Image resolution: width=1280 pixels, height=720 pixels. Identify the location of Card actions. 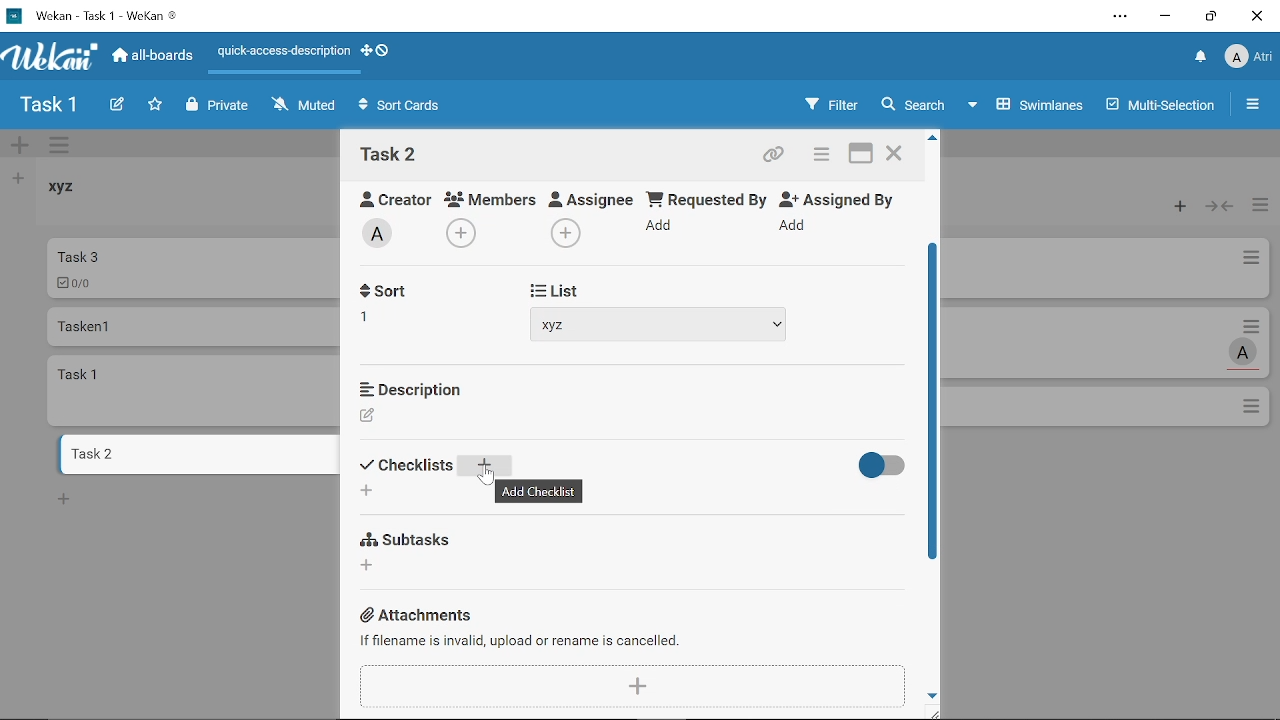
(1256, 325).